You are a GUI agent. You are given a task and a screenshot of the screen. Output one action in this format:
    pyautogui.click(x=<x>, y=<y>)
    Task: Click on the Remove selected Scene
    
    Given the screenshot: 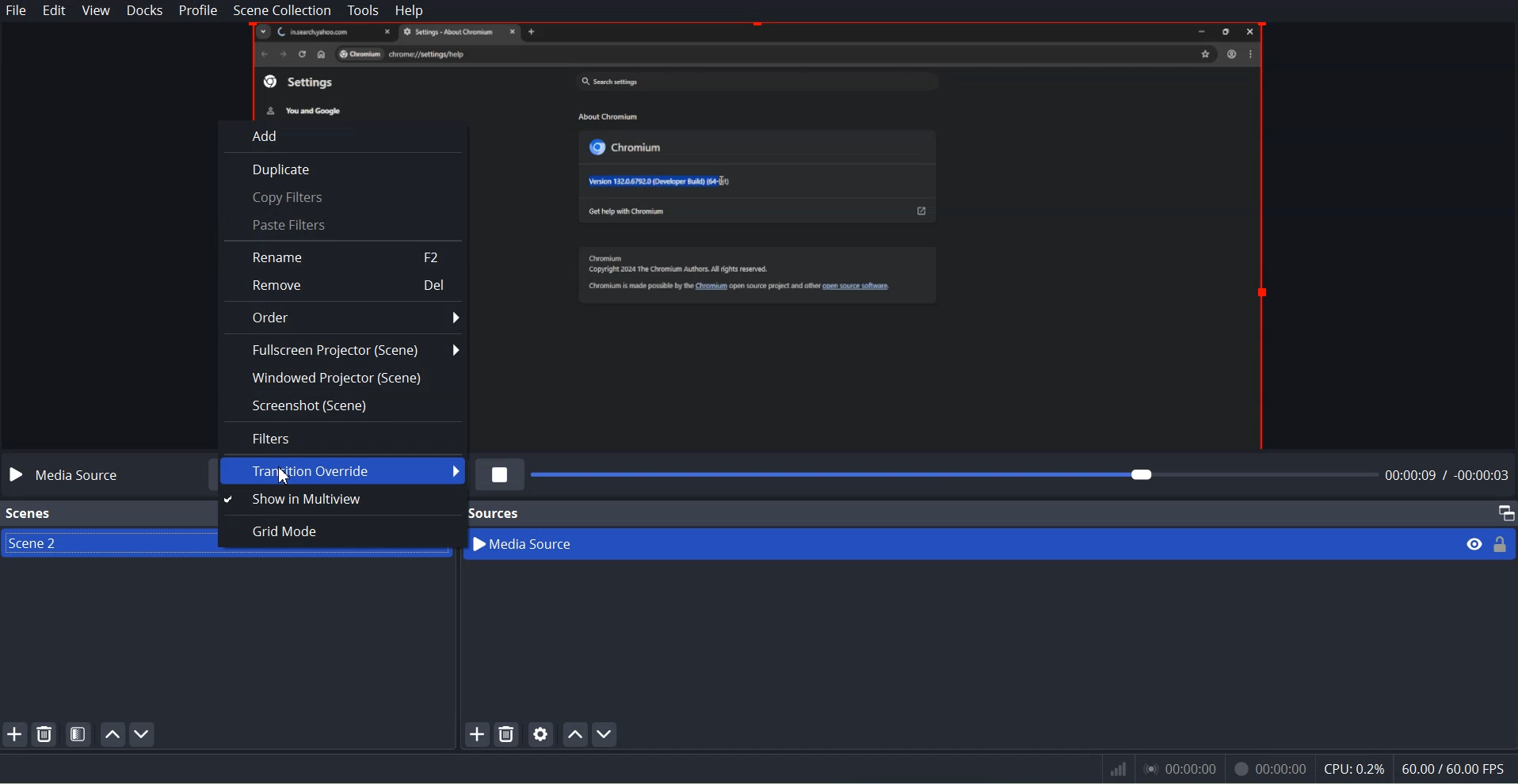 What is the action you would take?
    pyautogui.click(x=45, y=733)
    